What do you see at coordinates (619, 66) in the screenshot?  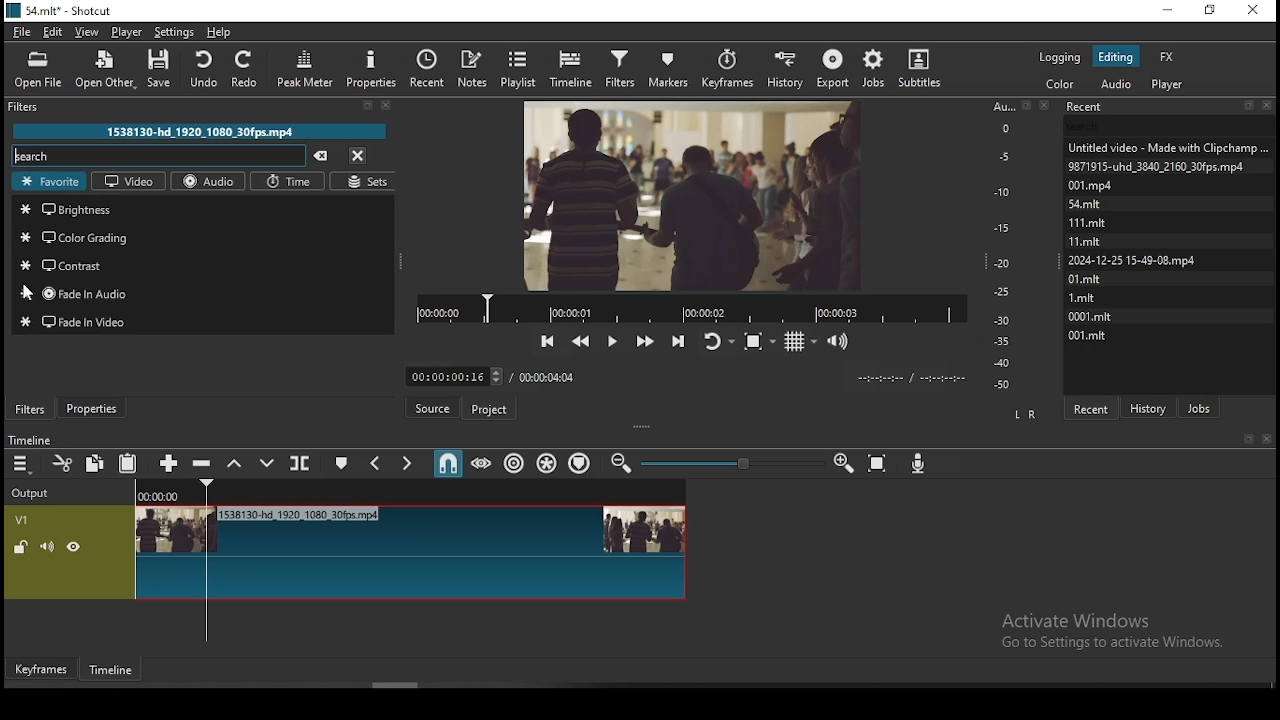 I see `filters` at bounding box center [619, 66].